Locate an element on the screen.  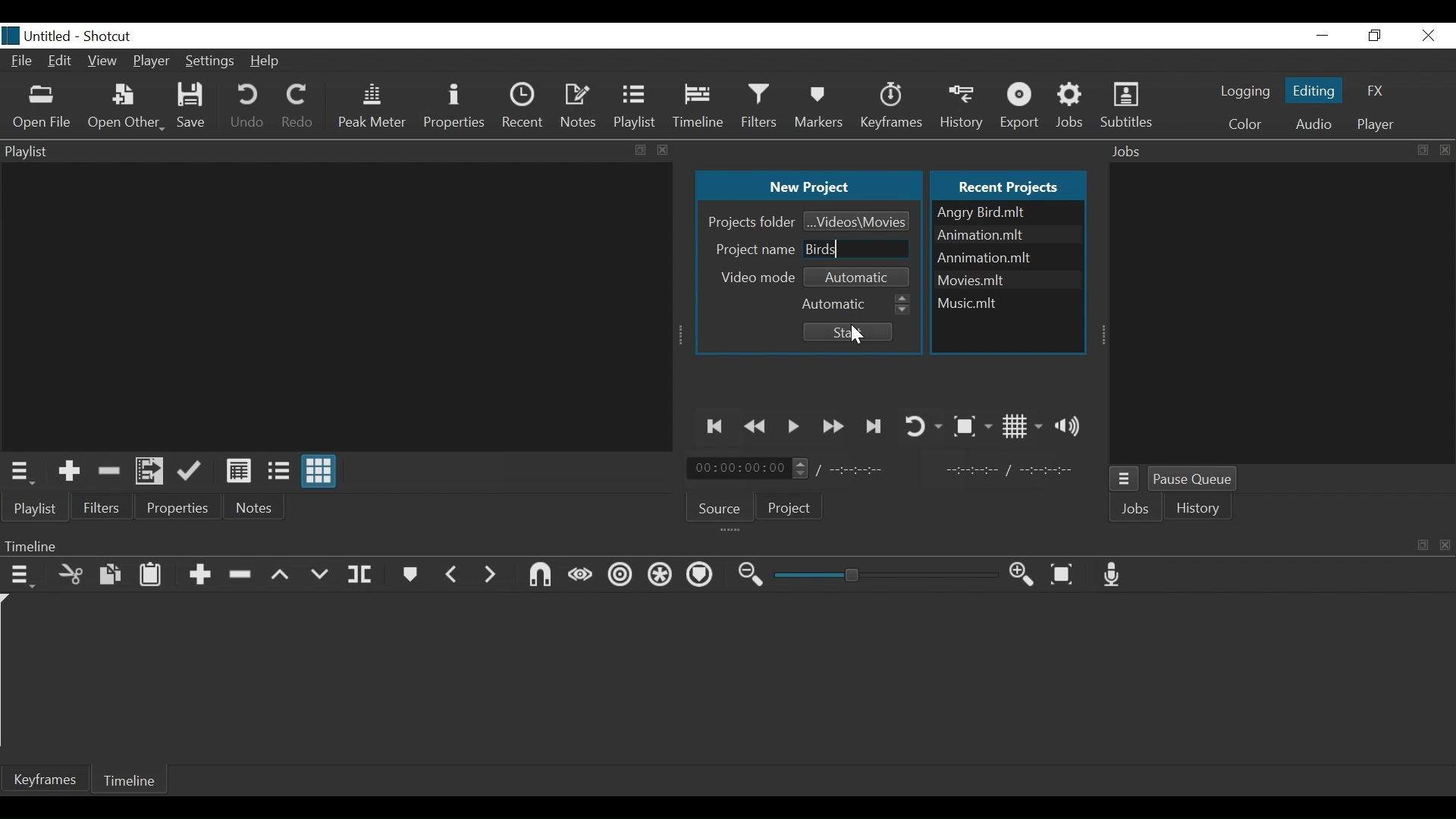
File name is located at coordinates (1006, 300).